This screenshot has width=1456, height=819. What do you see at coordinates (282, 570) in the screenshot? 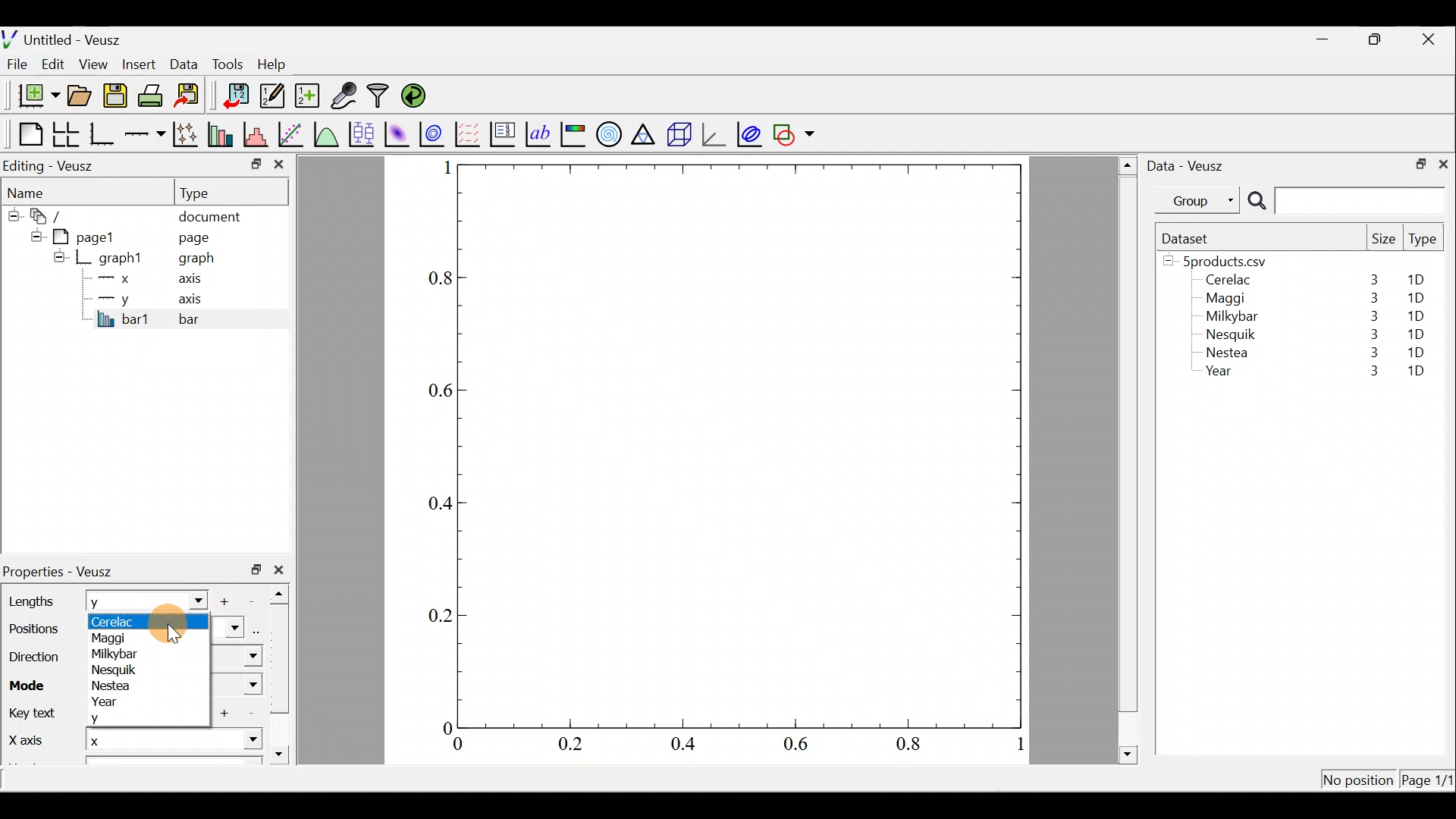
I see `close` at bounding box center [282, 570].